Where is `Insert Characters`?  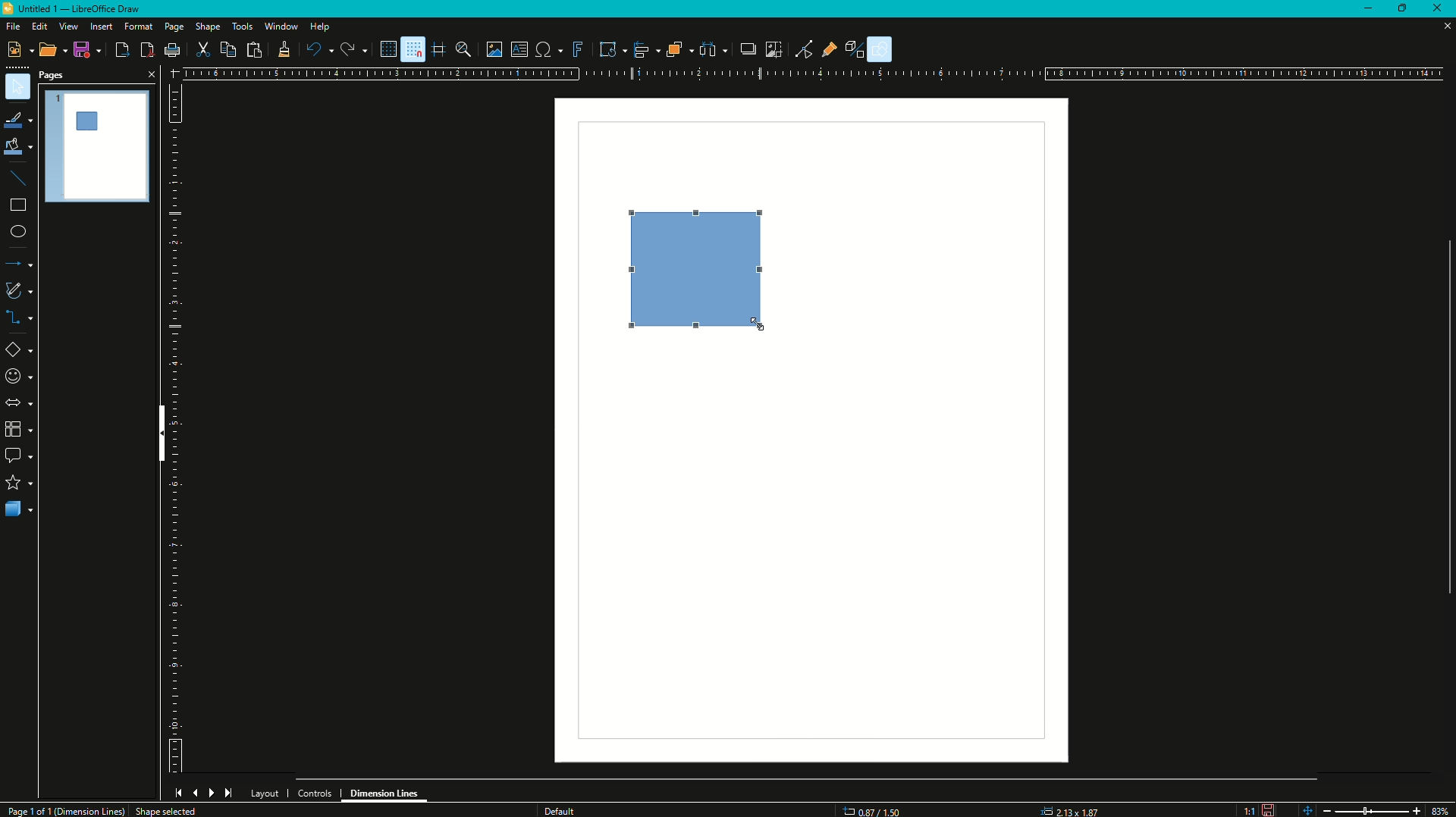
Insert Characters is located at coordinates (17, 377).